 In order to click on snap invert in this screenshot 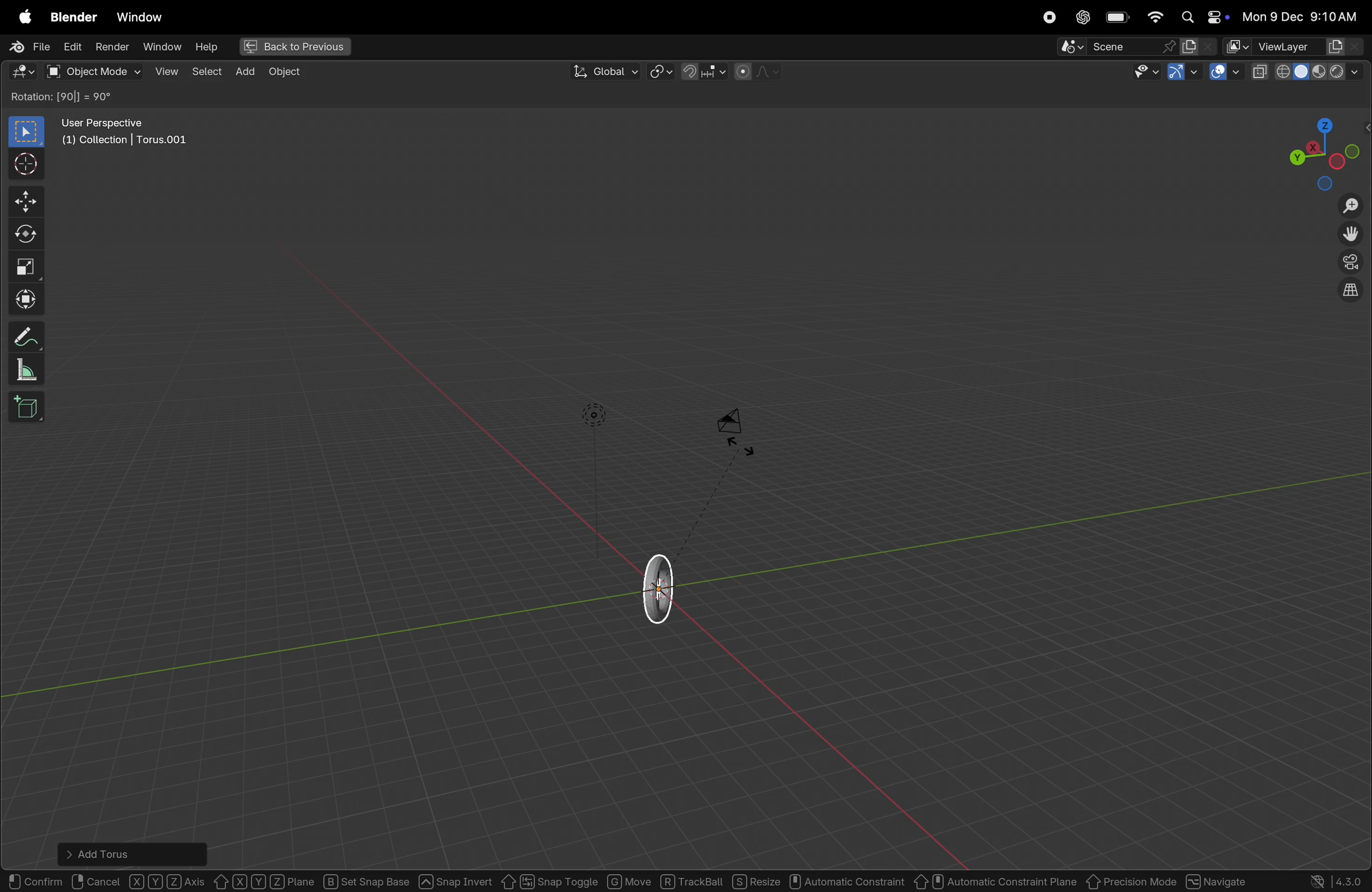, I will do `click(455, 879)`.